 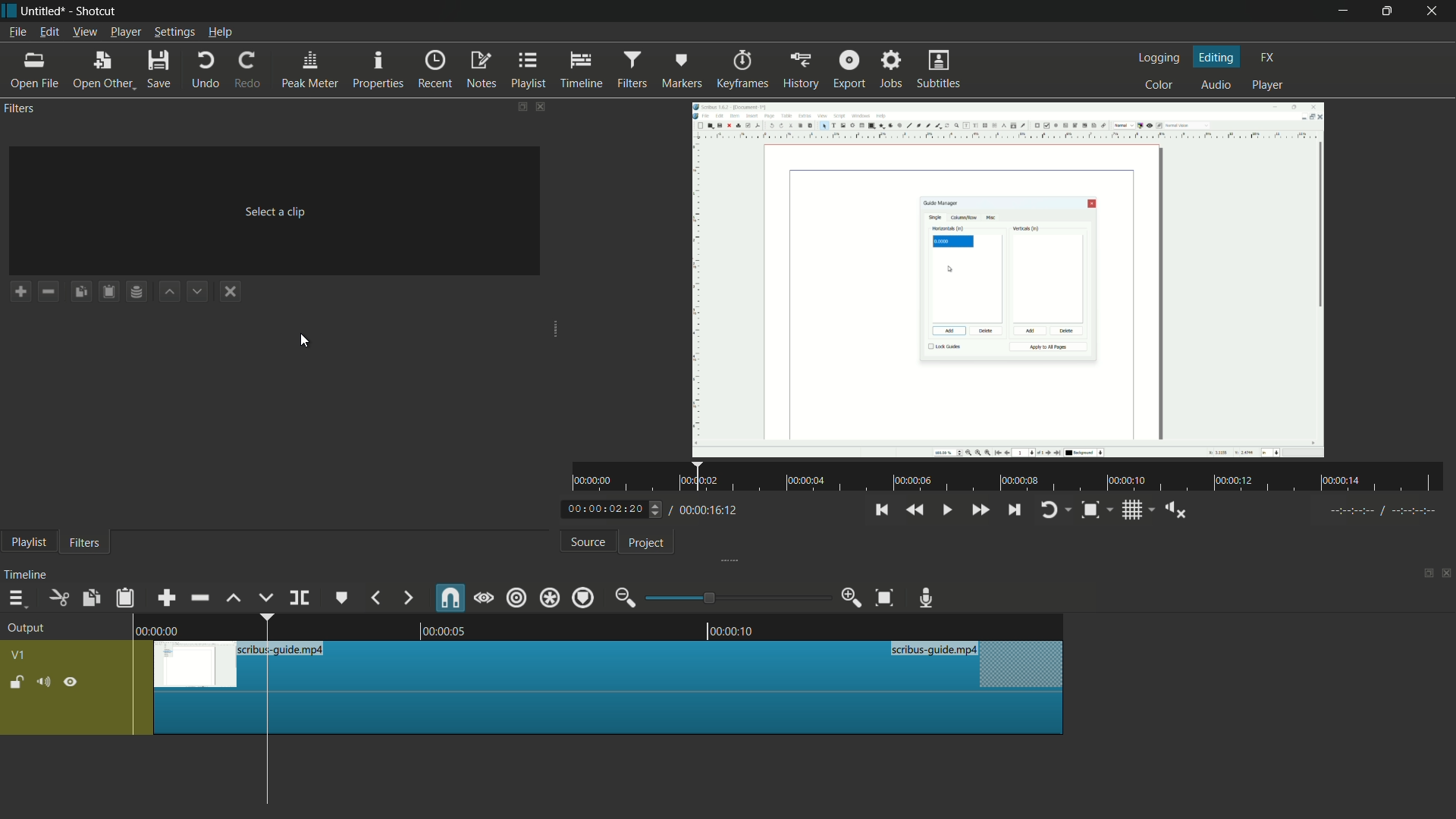 I want to click on help menu, so click(x=221, y=33).